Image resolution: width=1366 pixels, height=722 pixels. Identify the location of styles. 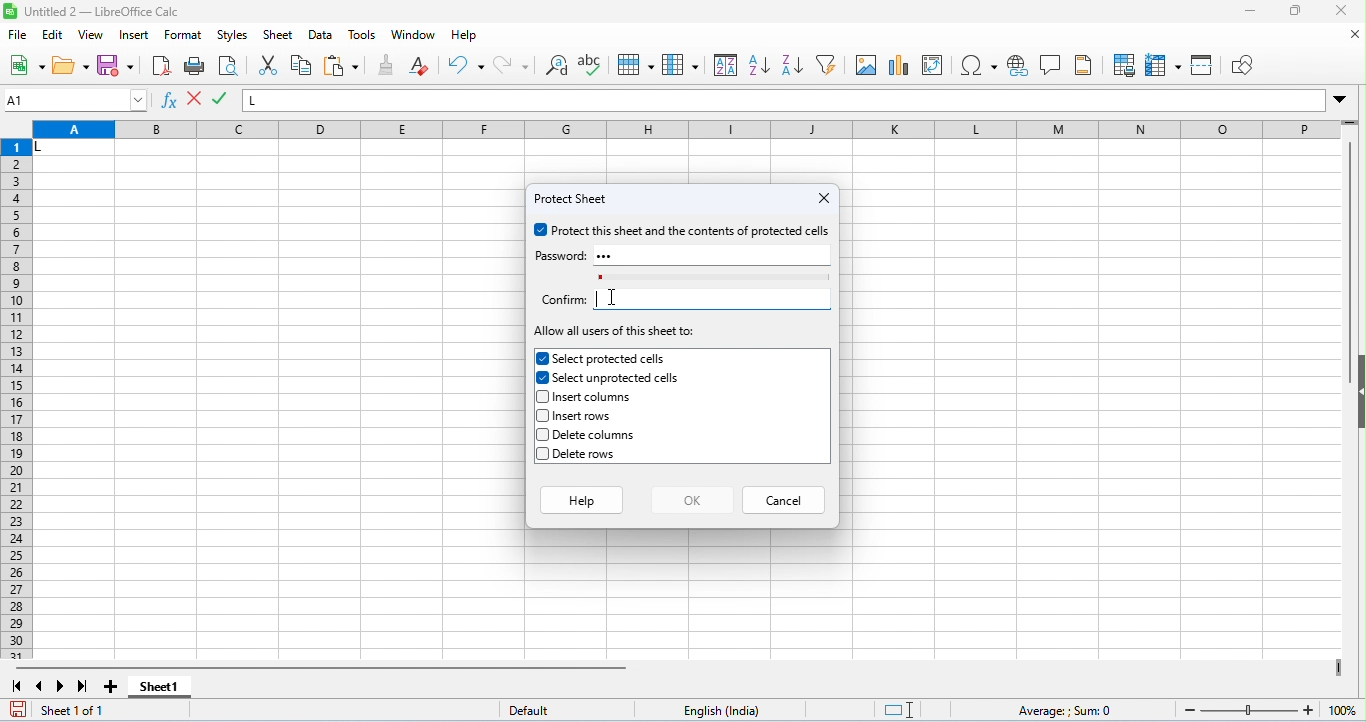
(233, 36).